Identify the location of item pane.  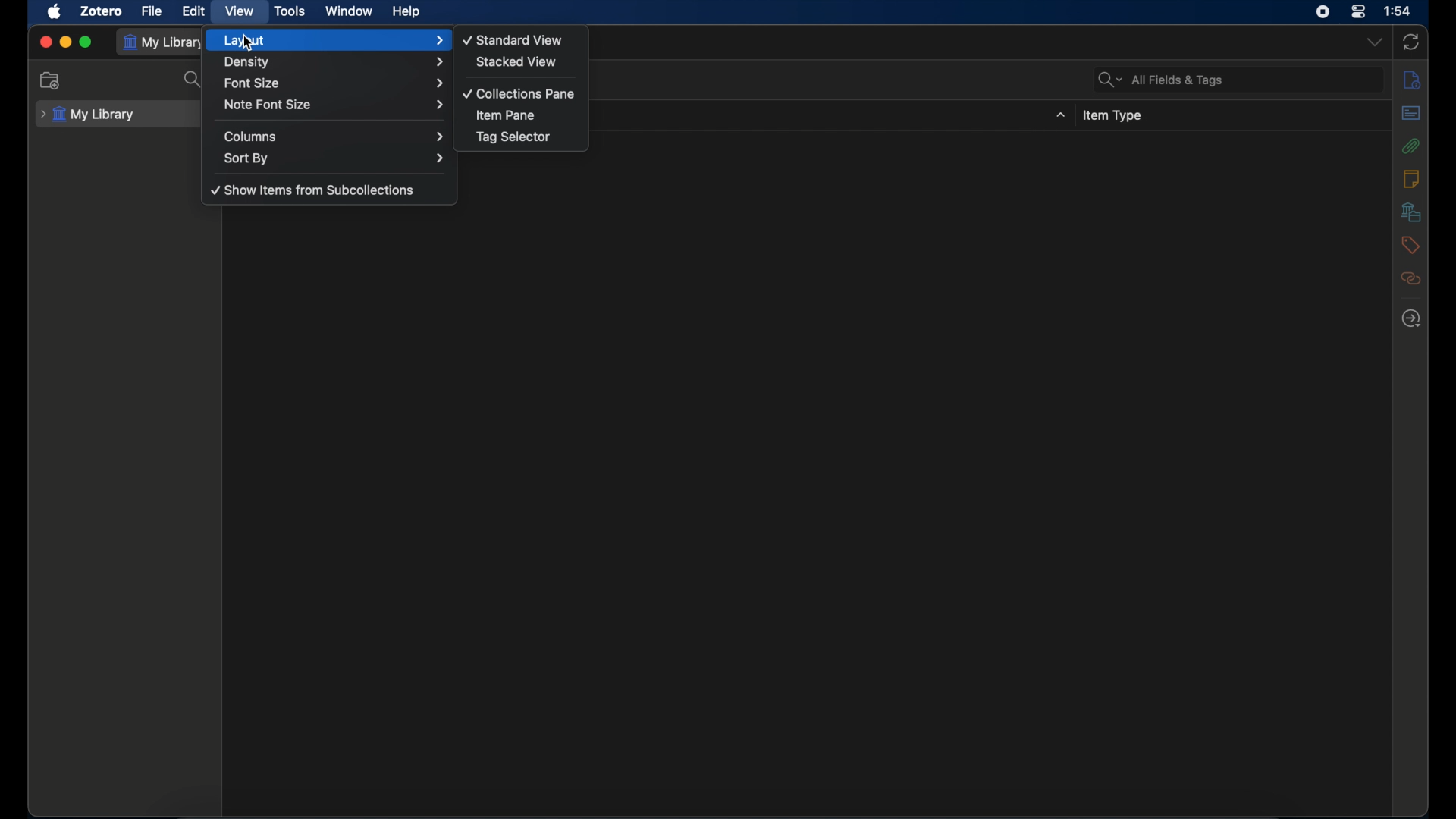
(507, 115).